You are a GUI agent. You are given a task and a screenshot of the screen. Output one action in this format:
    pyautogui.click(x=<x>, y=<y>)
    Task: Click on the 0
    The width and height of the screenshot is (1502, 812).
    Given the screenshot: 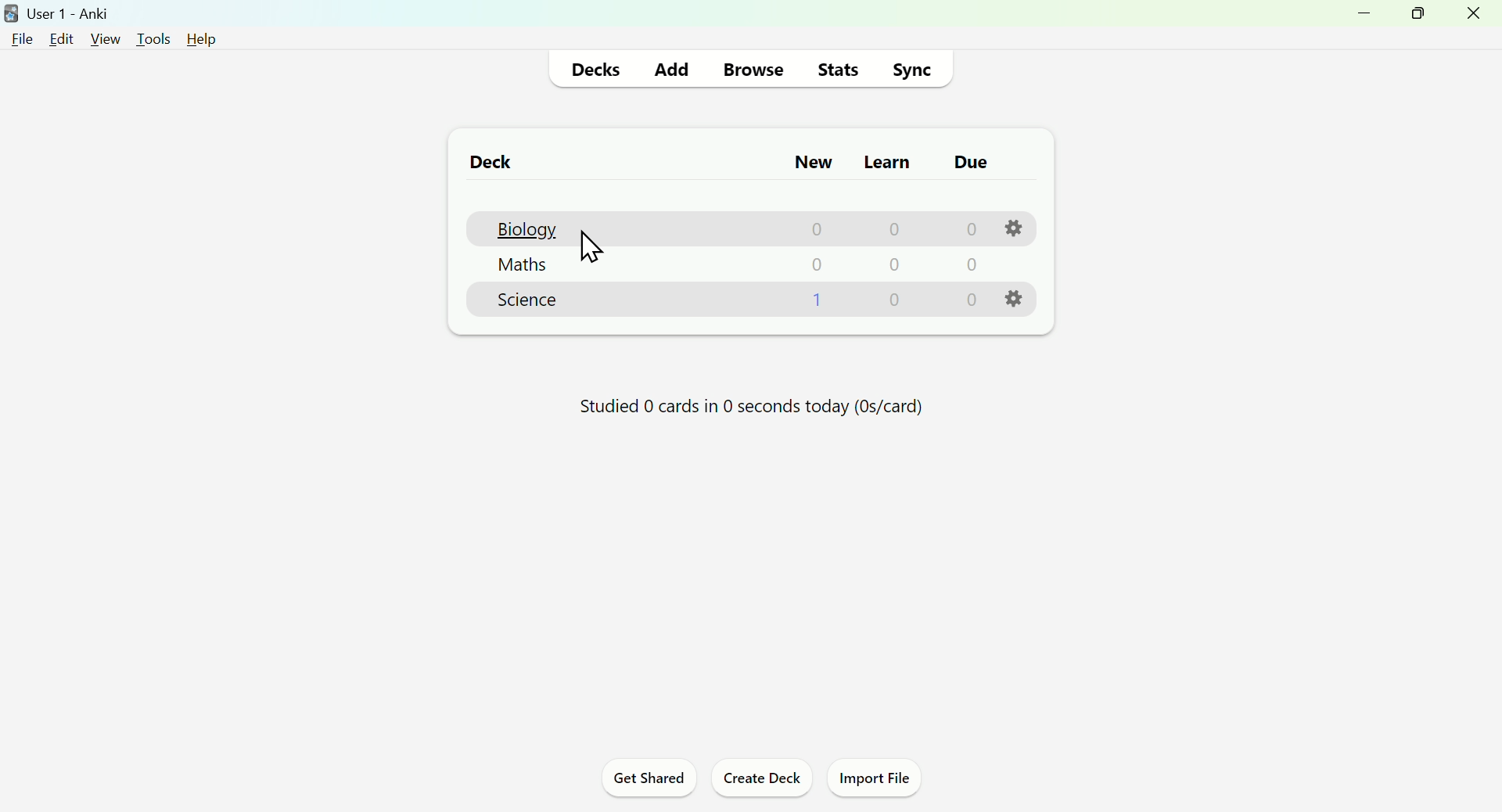 What is the action you would take?
    pyautogui.click(x=969, y=300)
    